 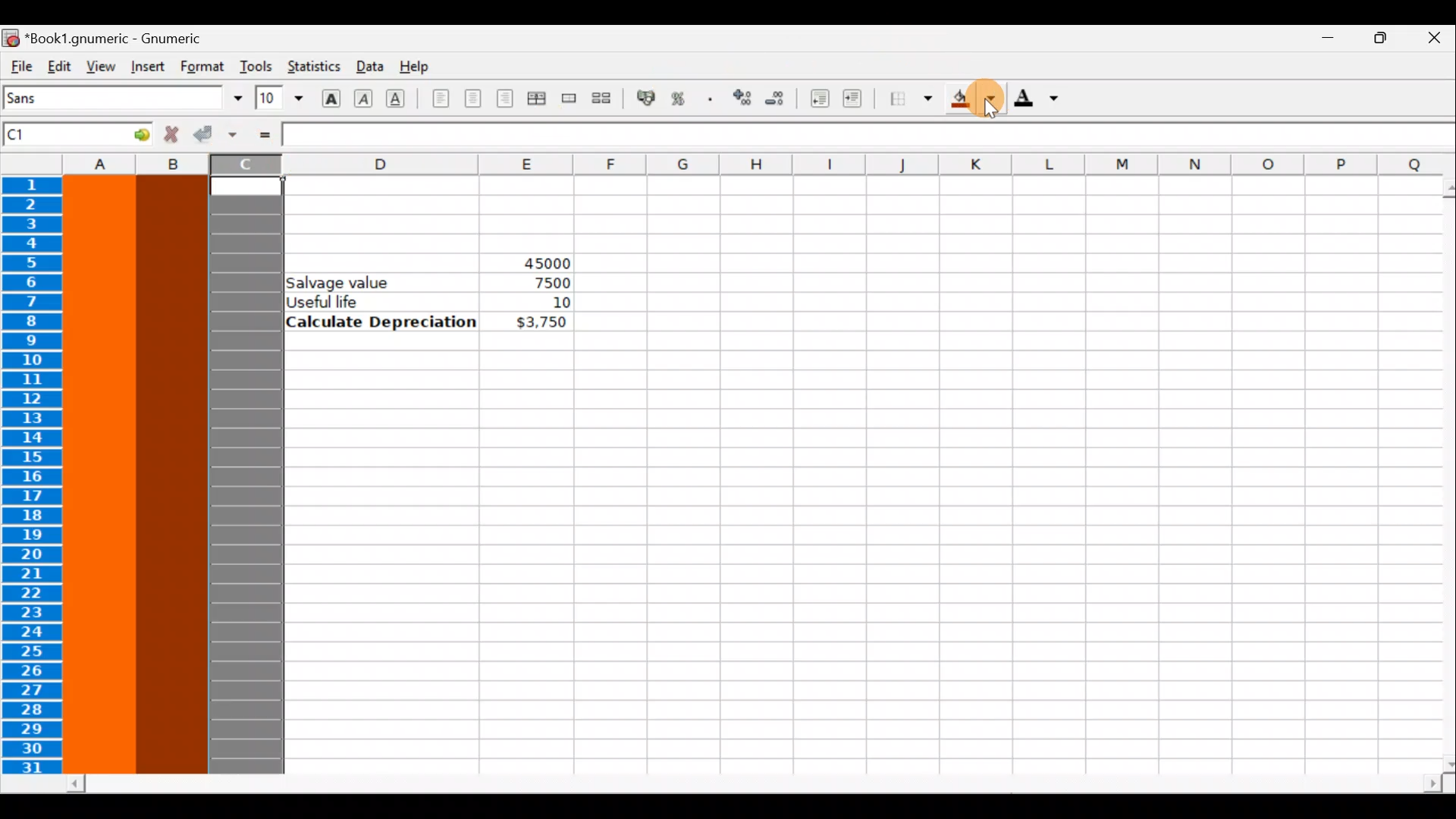 What do you see at coordinates (167, 135) in the screenshot?
I see `Reject change` at bounding box center [167, 135].